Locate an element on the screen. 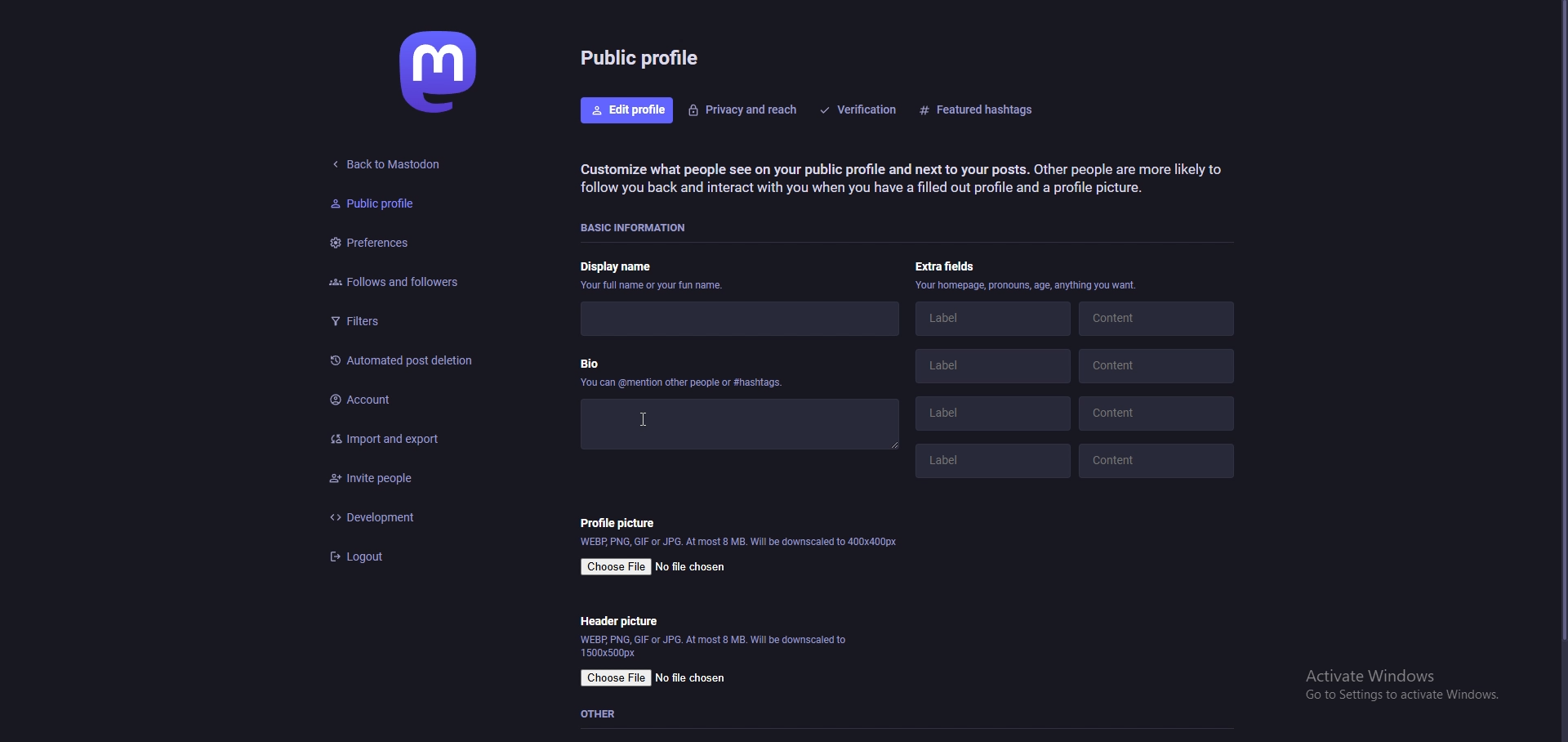  Ibeam cursor is located at coordinates (636, 418).